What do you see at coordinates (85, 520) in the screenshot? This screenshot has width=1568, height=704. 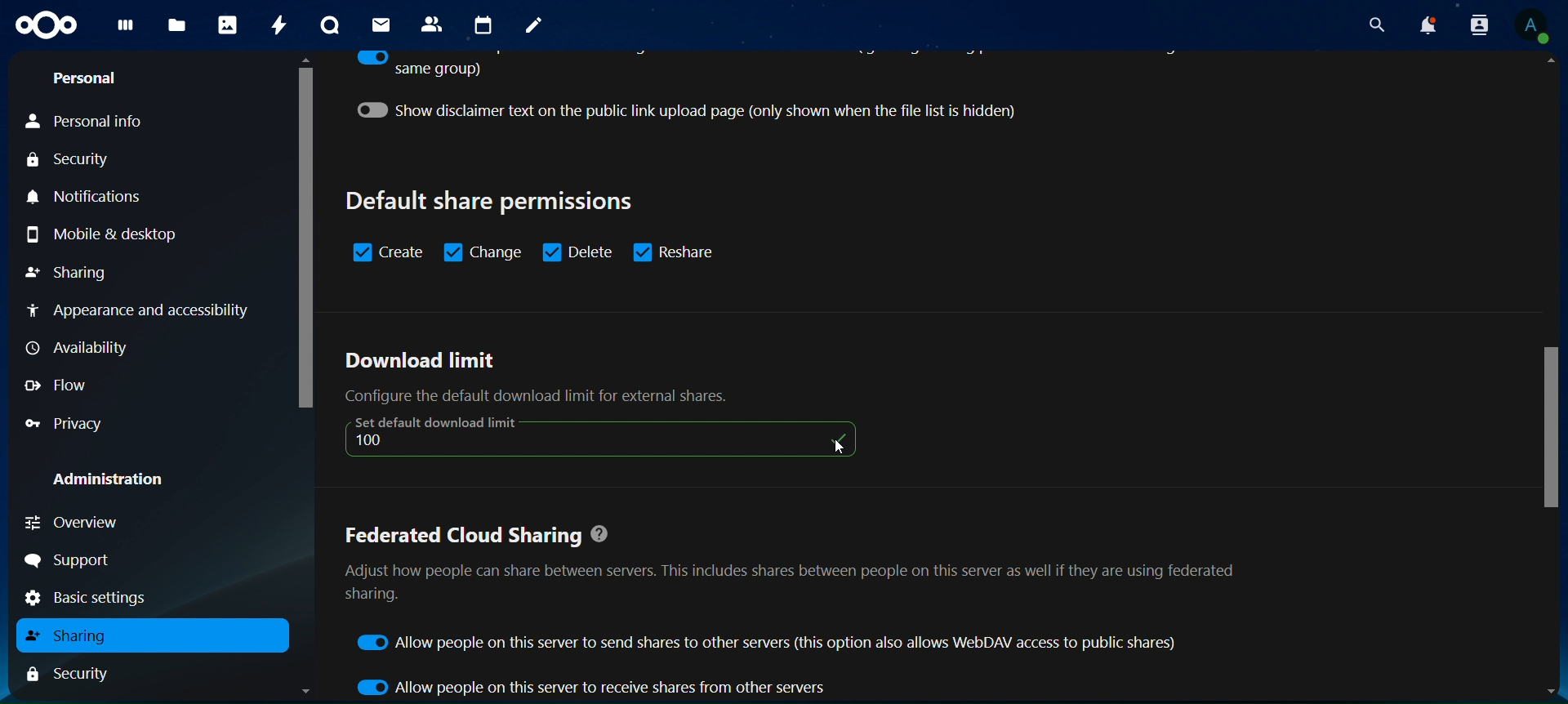 I see `overview` at bounding box center [85, 520].